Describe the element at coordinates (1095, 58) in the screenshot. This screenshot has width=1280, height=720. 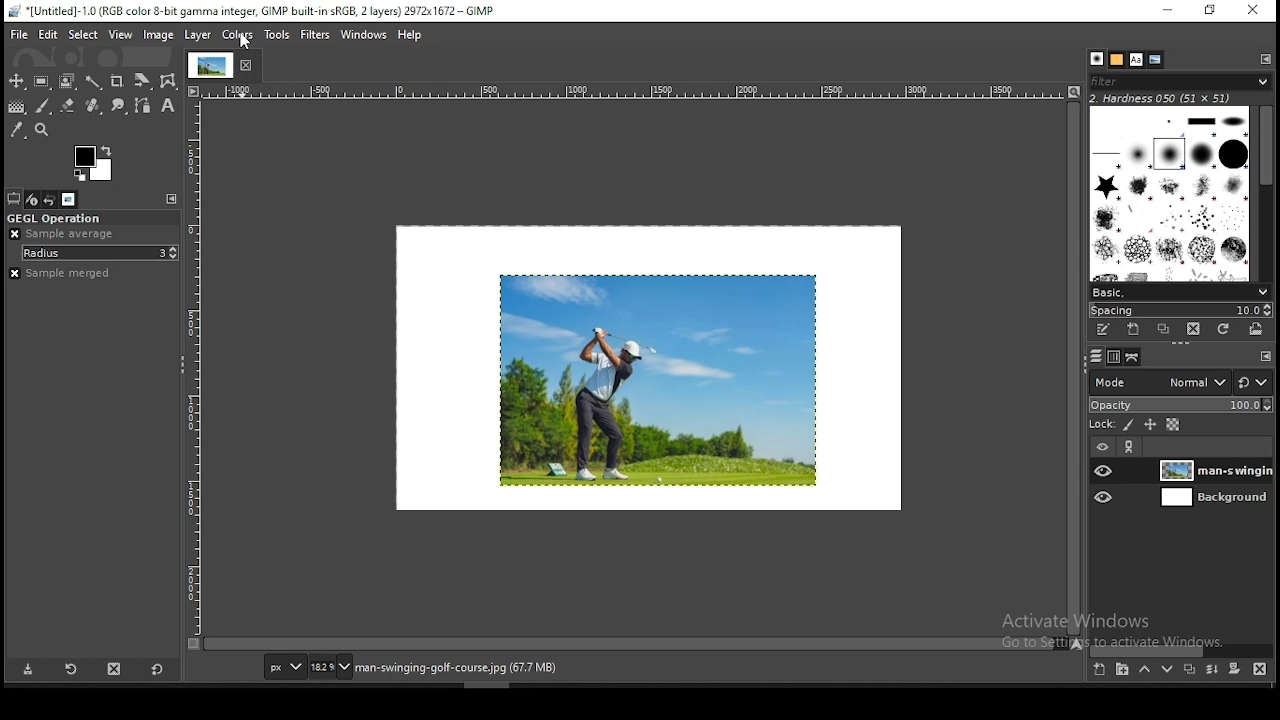
I see `brushes` at that location.